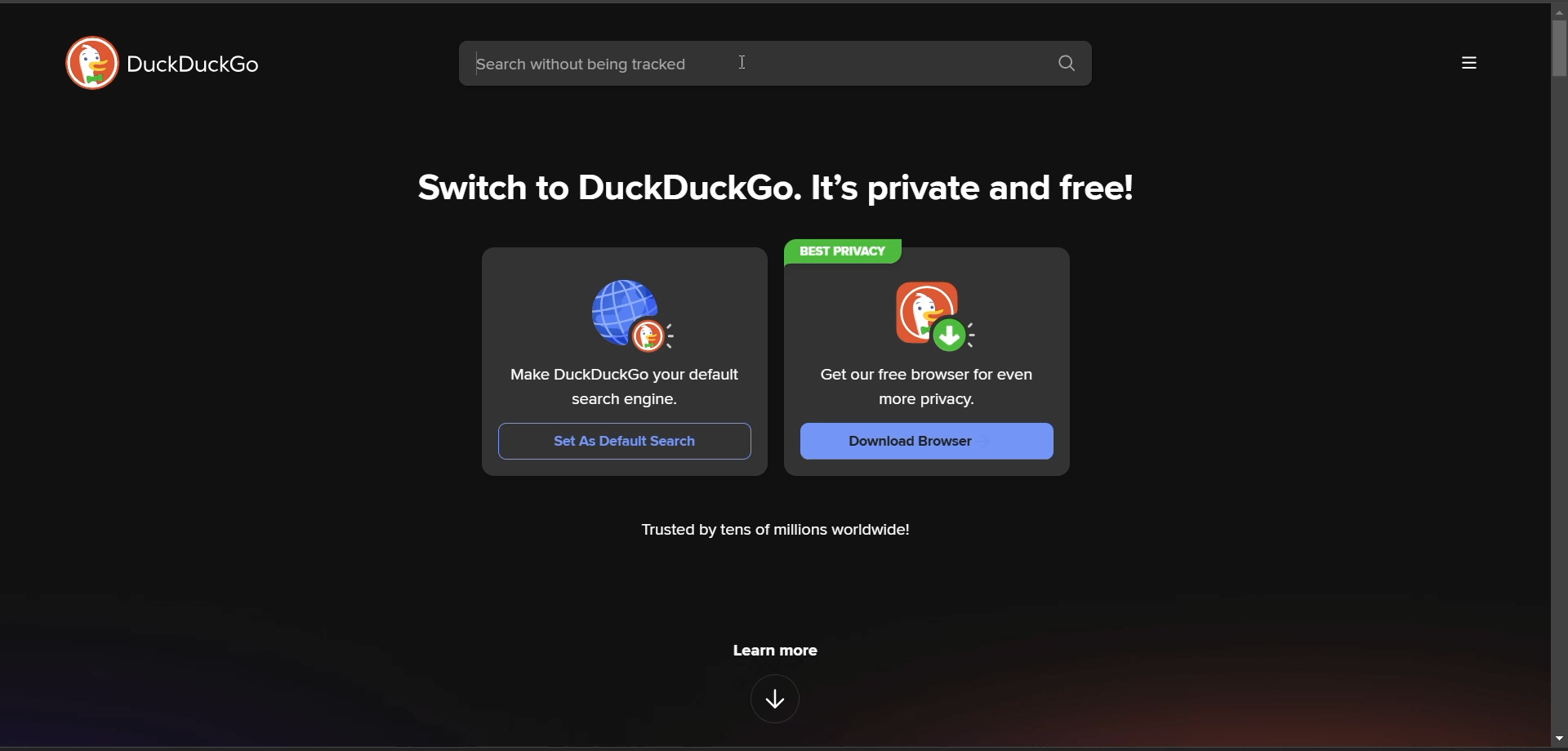 The height and width of the screenshot is (751, 1568). I want to click on Get our free browser for even
more privacy., so click(925, 389).